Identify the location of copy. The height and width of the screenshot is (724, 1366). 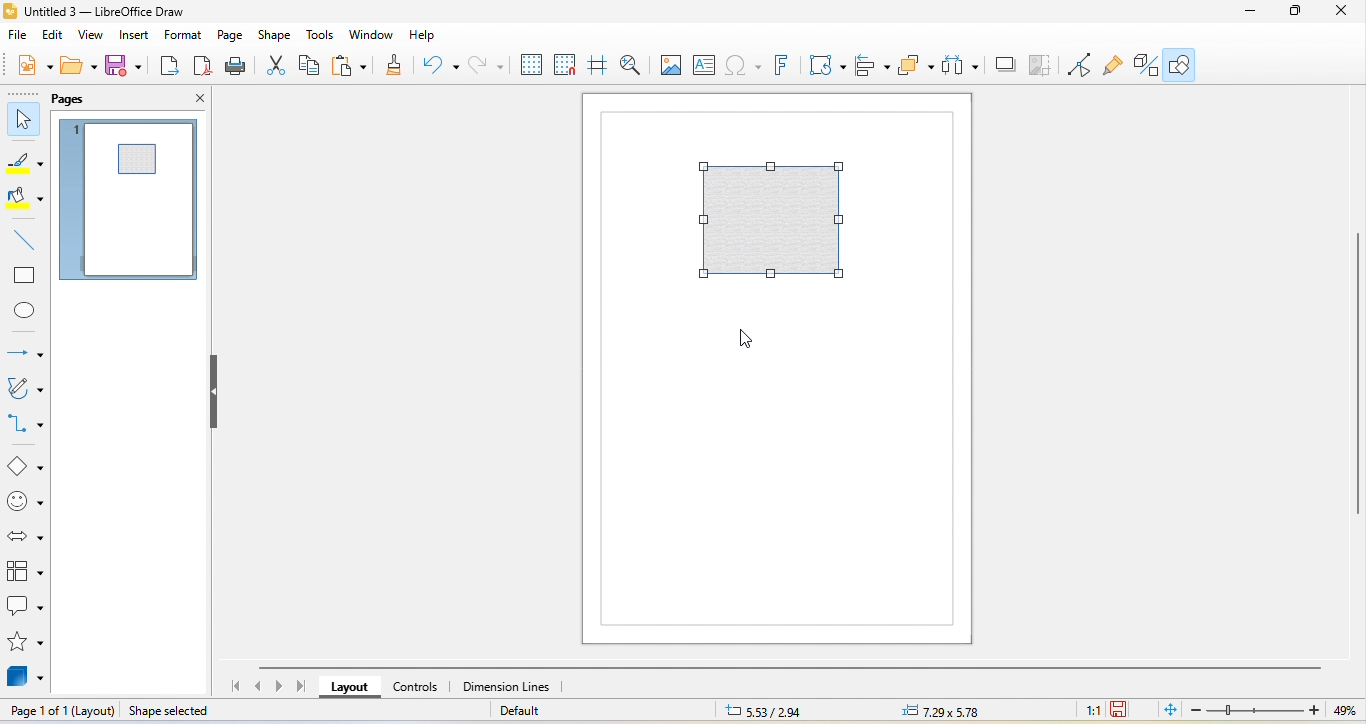
(310, 66).